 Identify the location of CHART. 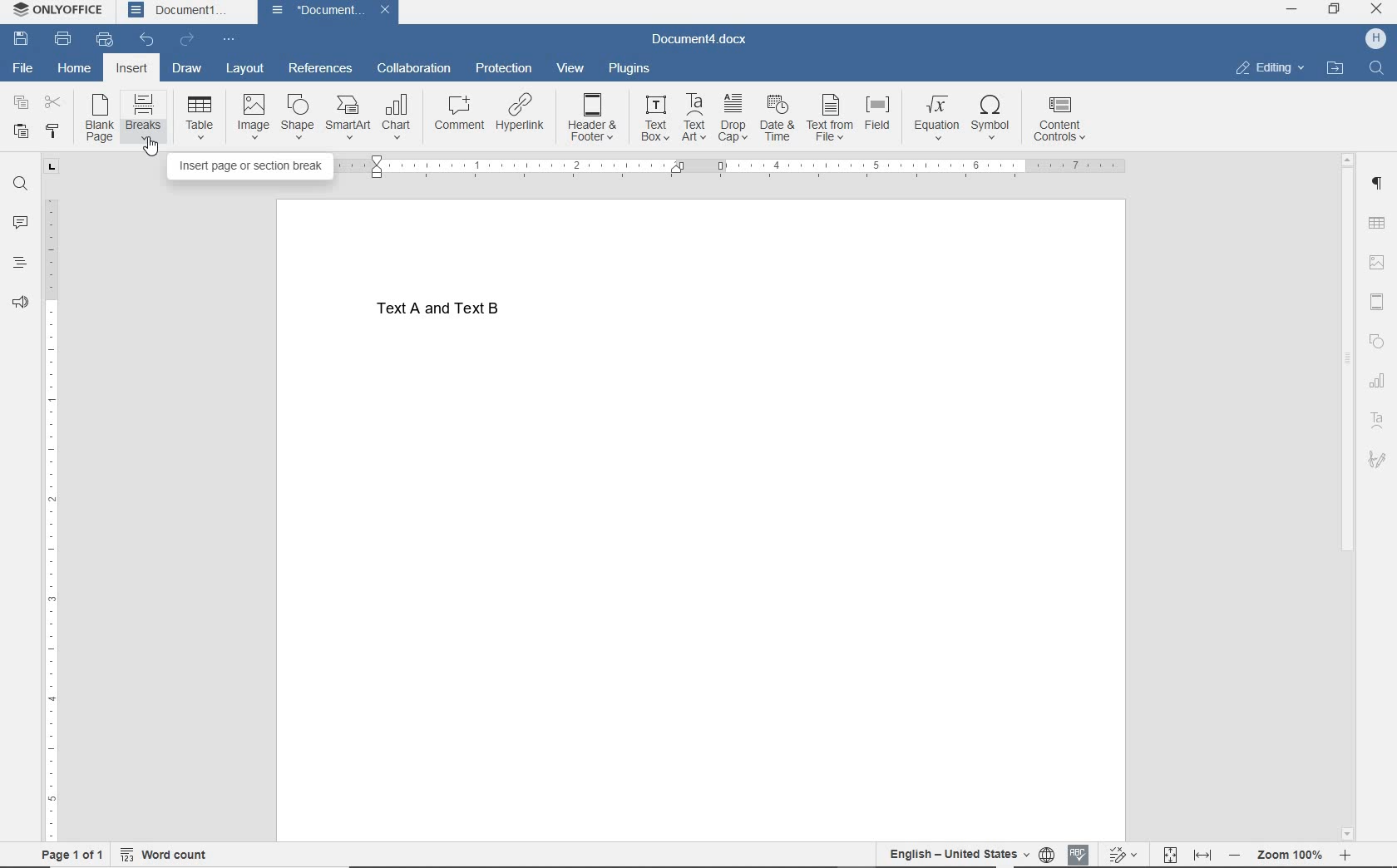
(397, 116).